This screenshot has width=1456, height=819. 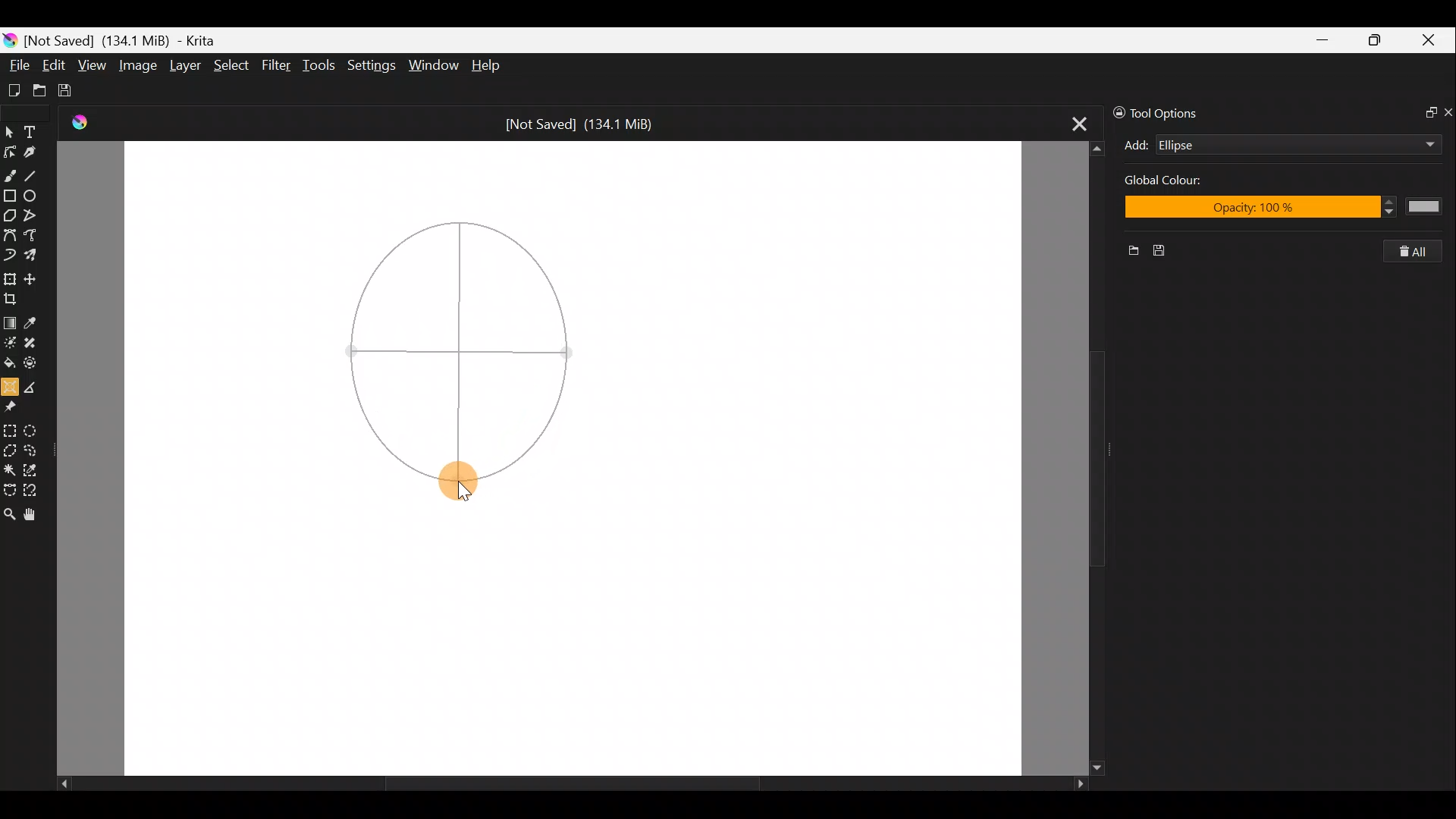 I want to click on Enclose and fill tool, so click(x=37, y=366).